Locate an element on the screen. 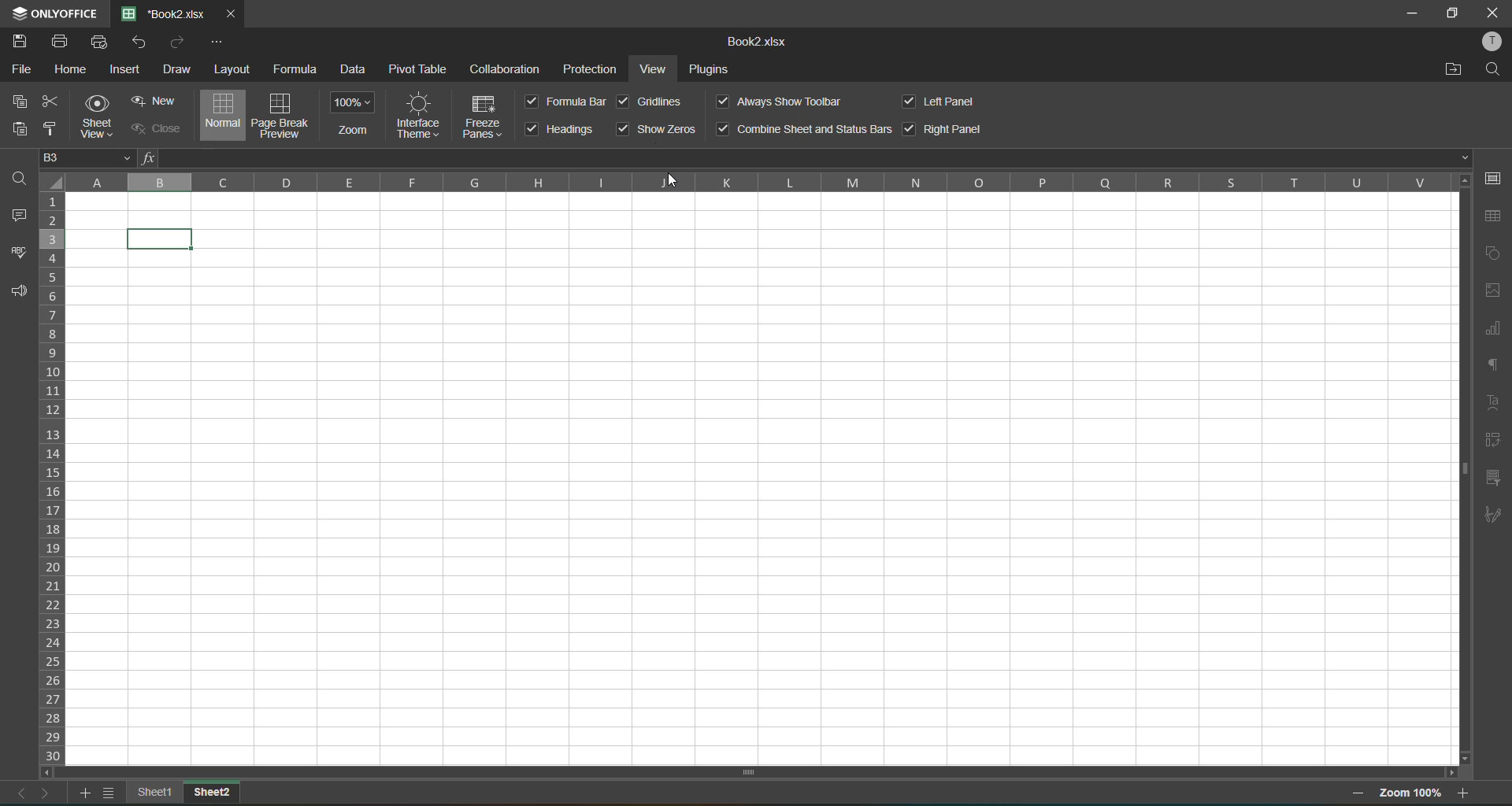  zoom factor is located at coordinates (1409, 794).